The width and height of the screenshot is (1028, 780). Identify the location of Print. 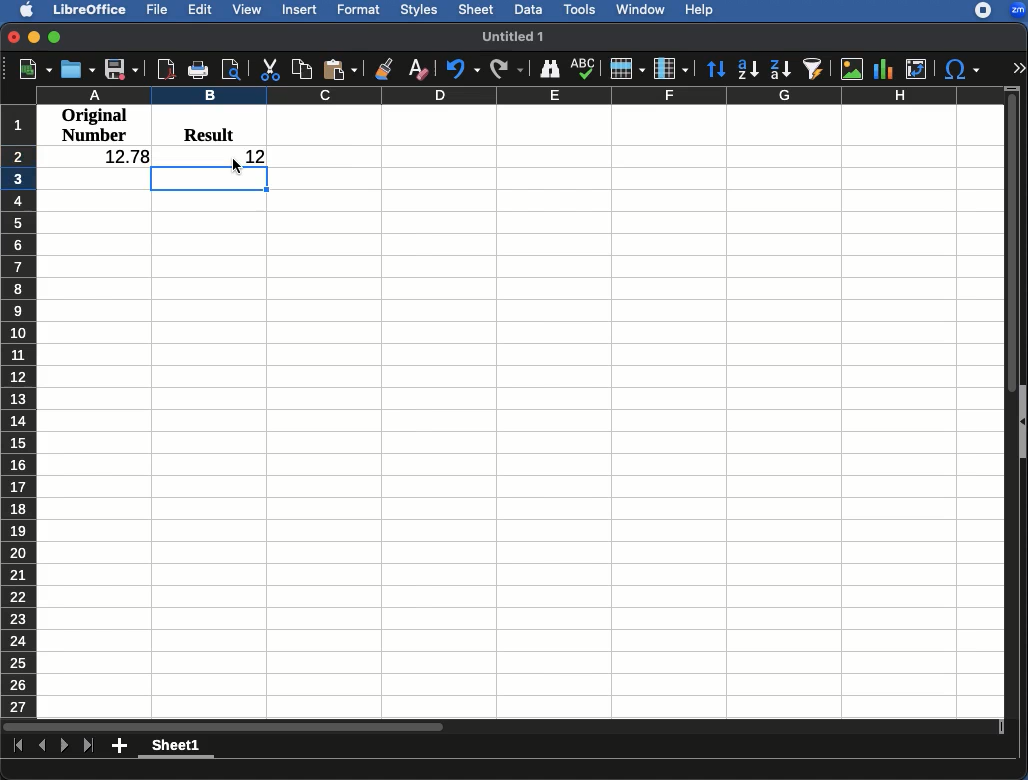
(197, 71).